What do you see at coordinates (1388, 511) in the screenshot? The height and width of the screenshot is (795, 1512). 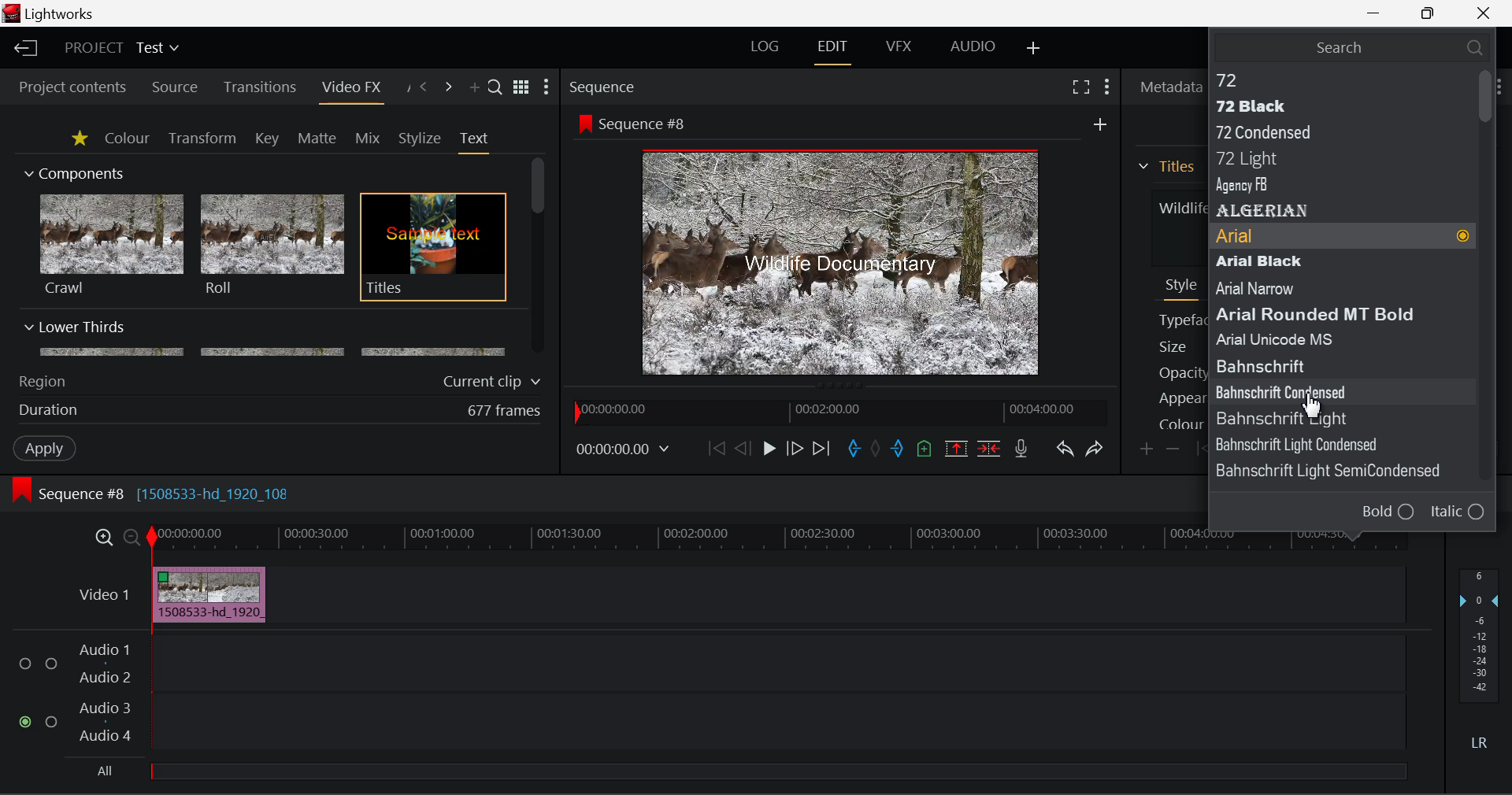 I see `Bold` at bounding box center [1388, 511].